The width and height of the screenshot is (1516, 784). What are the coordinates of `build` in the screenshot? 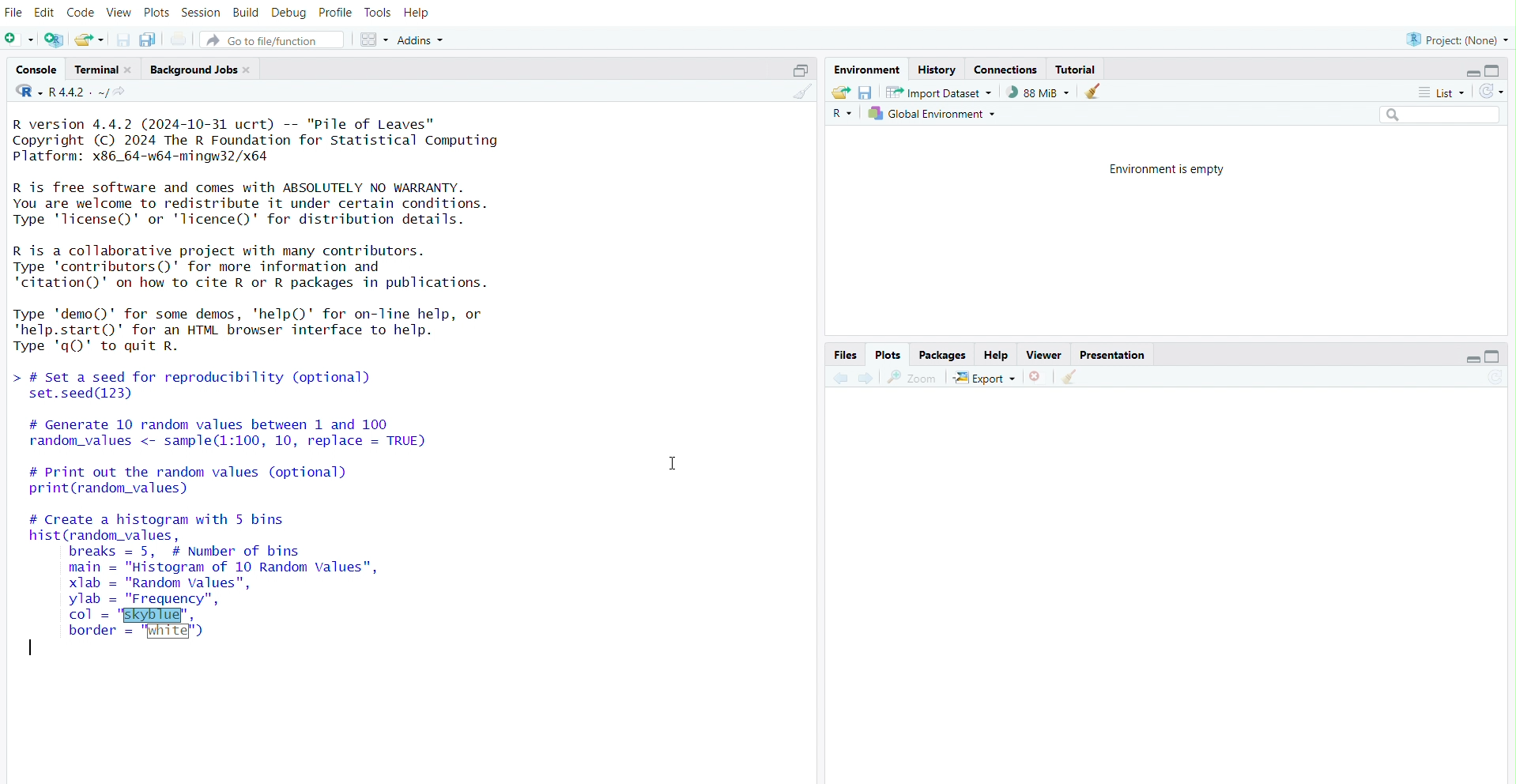 It's located at (248, 10).